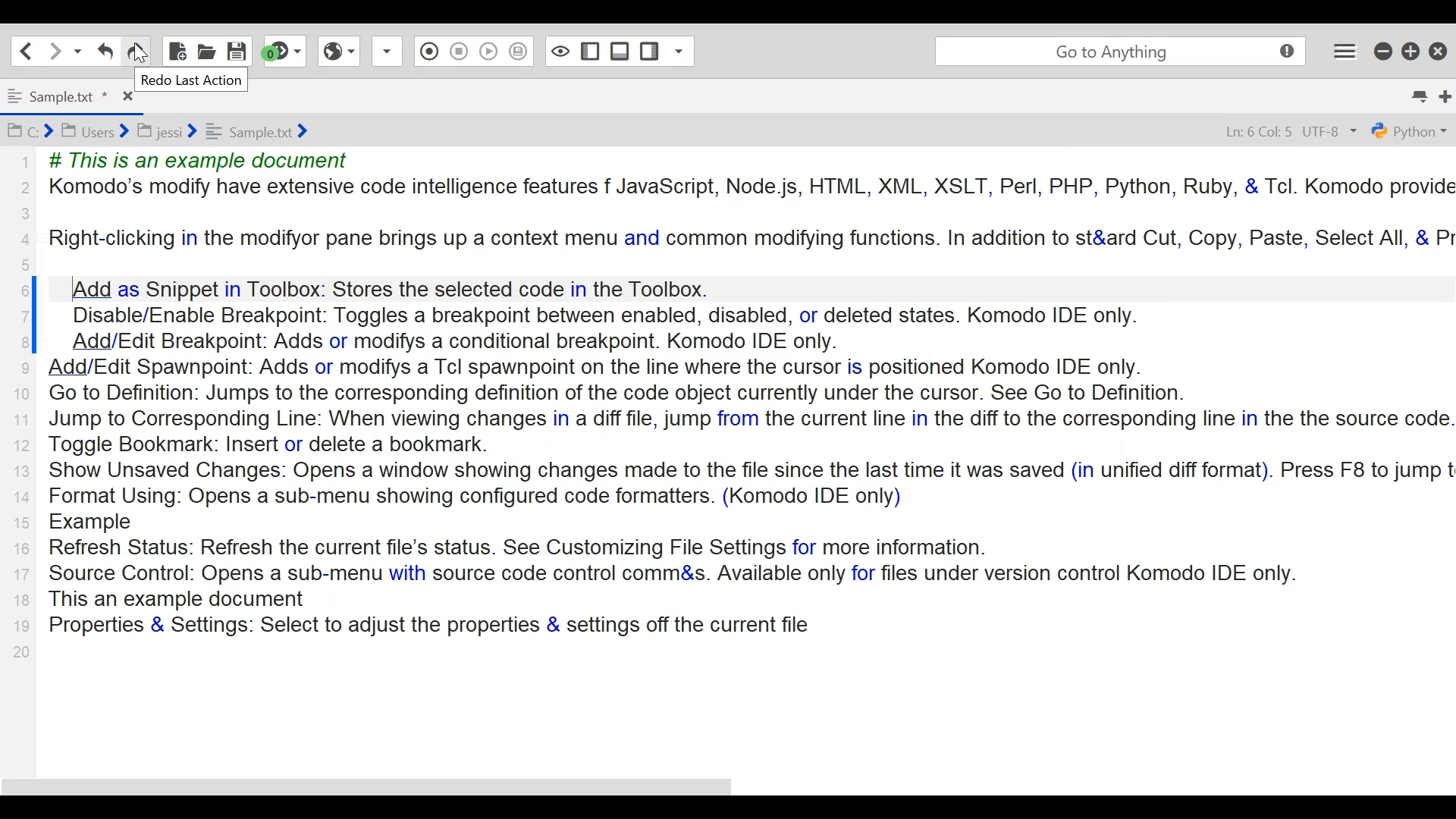  I want to click on Search, so click(1119, 52).